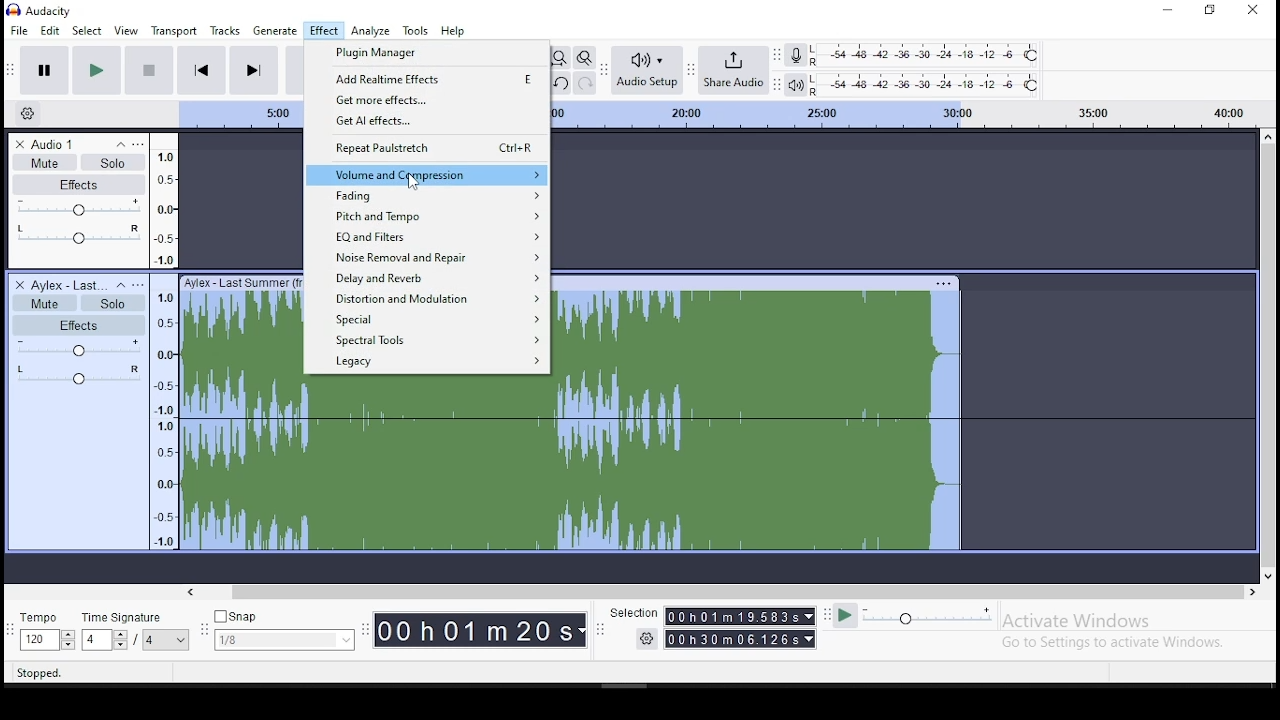  I want to click on special, so click(434, 318).